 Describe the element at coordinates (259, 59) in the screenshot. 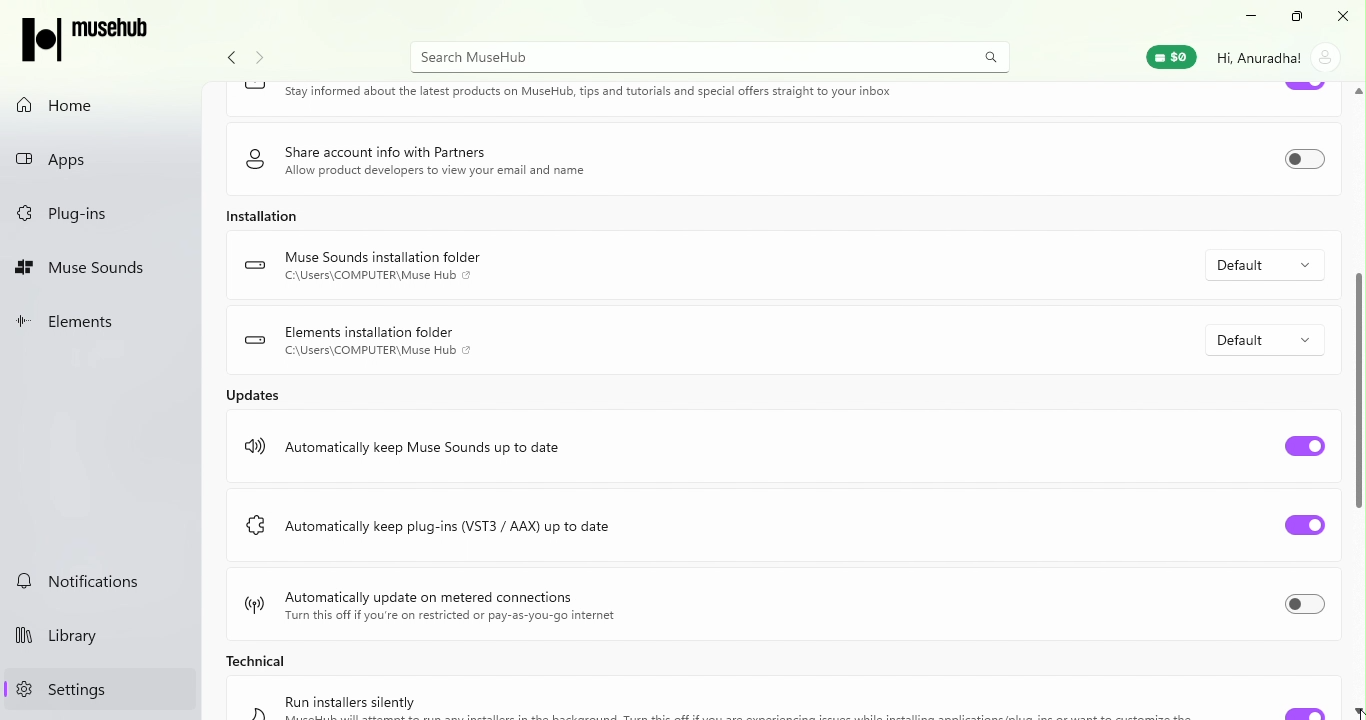

I see `navigate forward` at that location.